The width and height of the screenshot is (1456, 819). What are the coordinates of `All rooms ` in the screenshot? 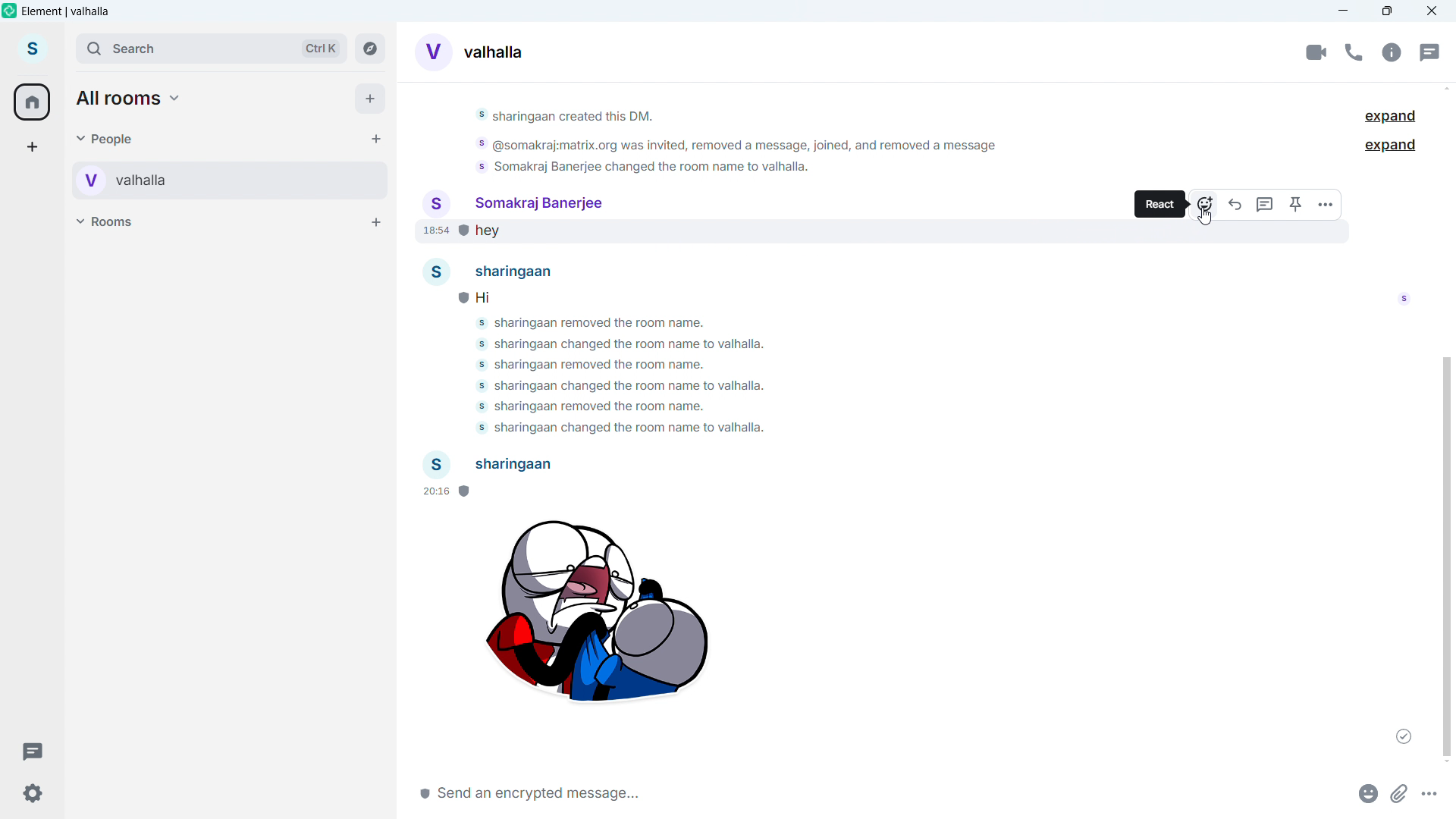 It's located at (130, 99).